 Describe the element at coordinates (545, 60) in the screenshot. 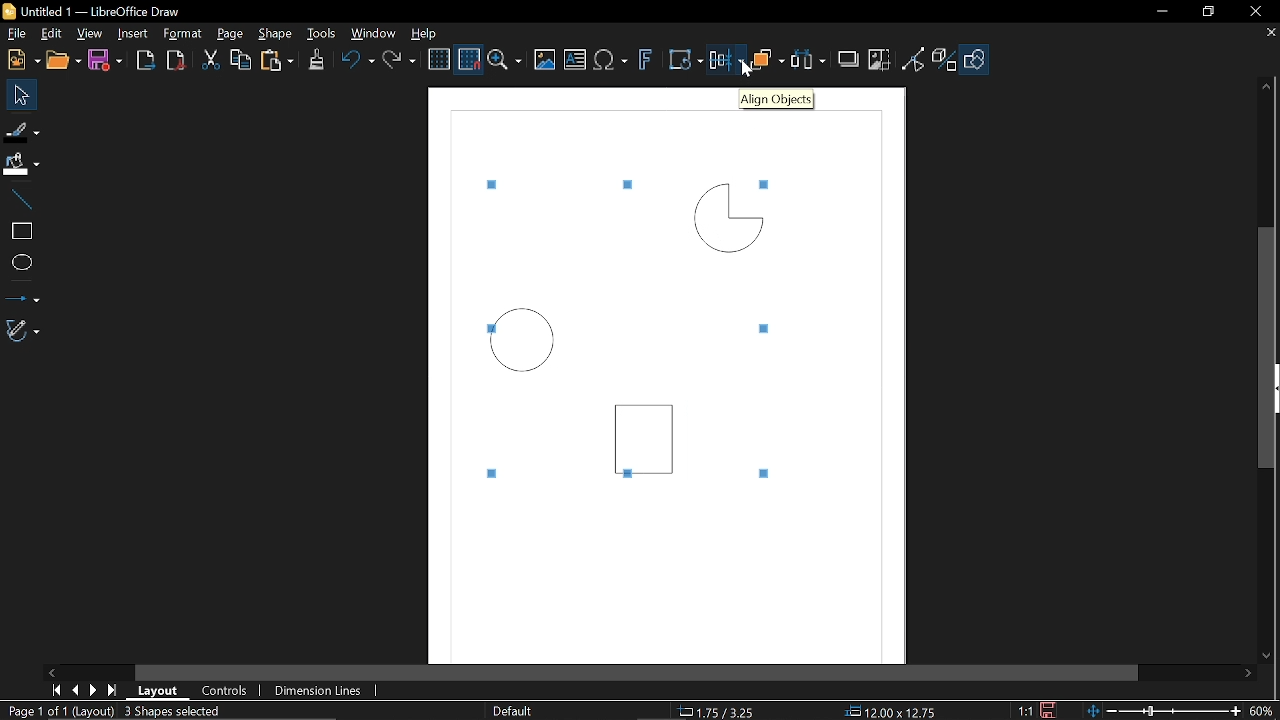

I see `Insert image` at that location.